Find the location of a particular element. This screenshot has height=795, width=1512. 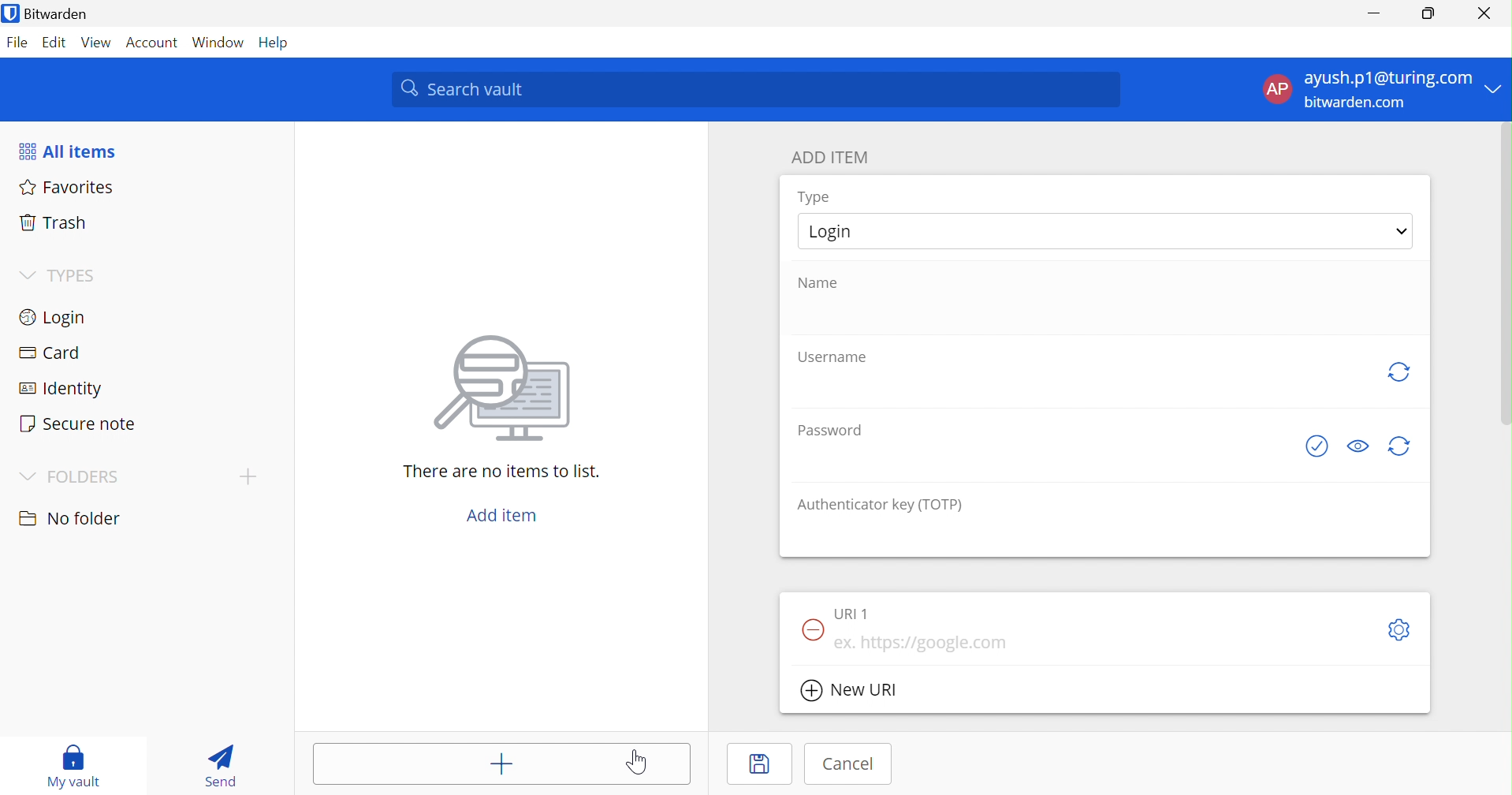

FOLDERS is located at coordinates (84, 478).